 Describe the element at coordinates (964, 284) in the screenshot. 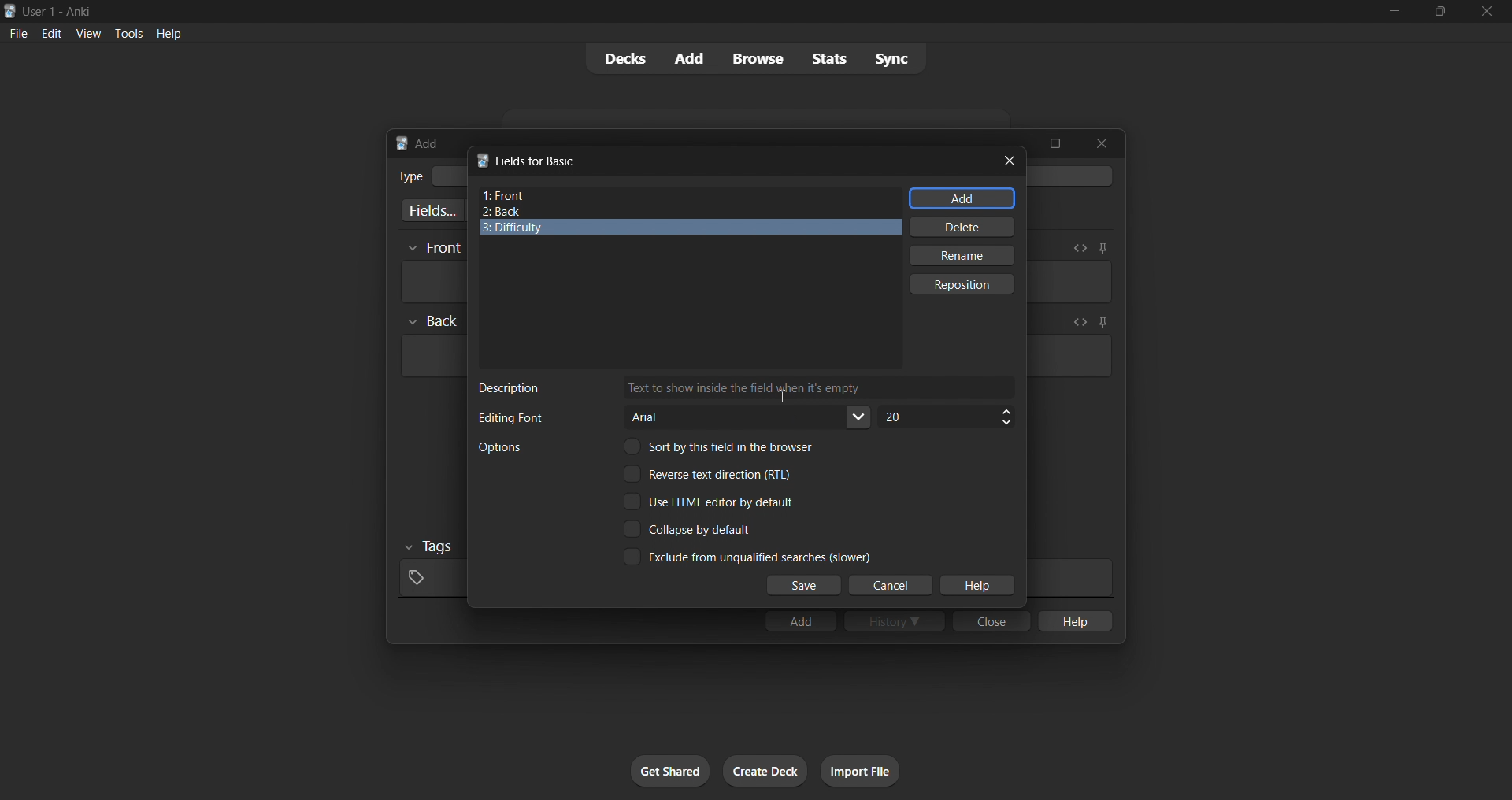

I see `reposition` at that location.